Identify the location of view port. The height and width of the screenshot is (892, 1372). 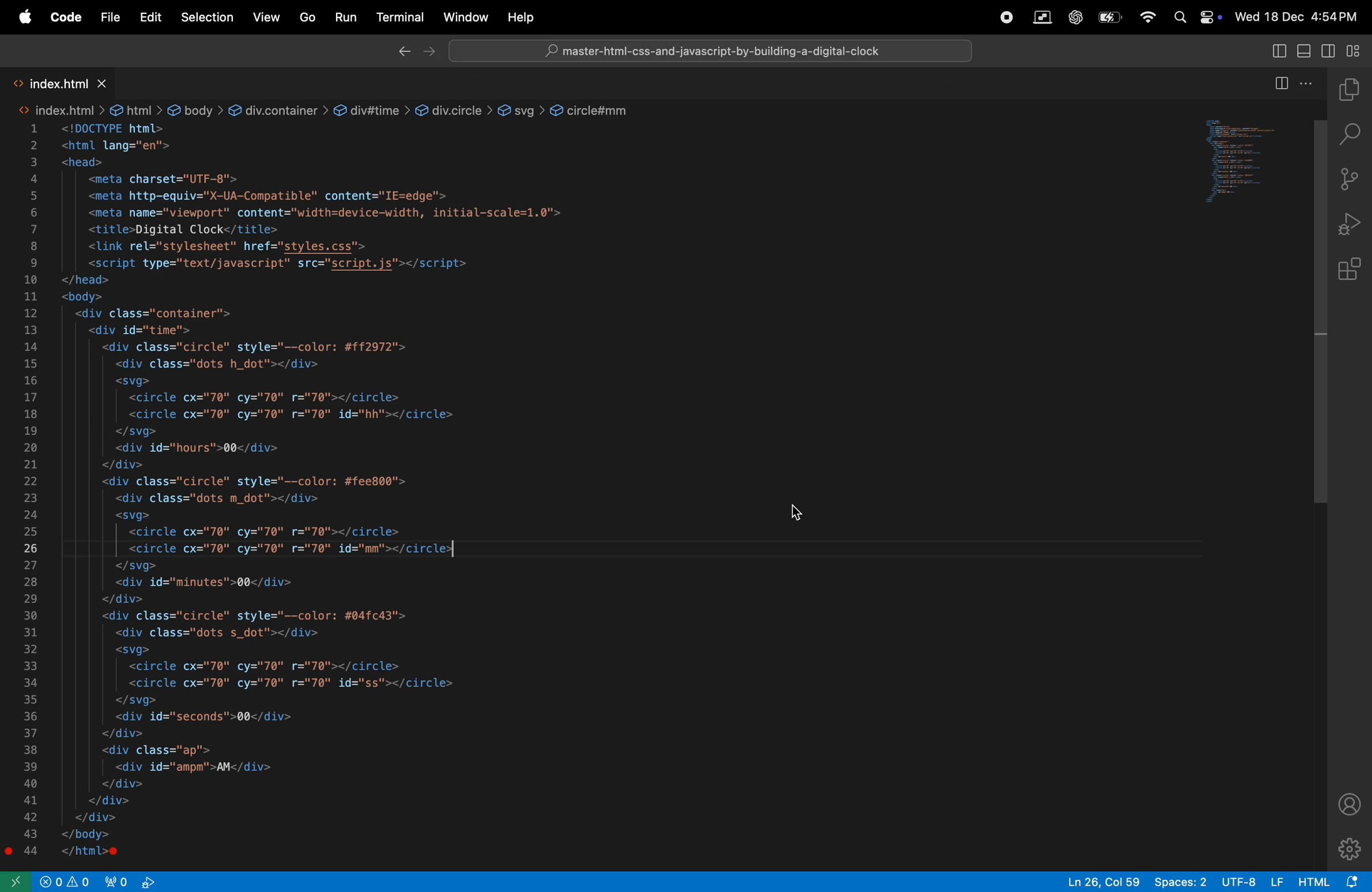
(131, 880).